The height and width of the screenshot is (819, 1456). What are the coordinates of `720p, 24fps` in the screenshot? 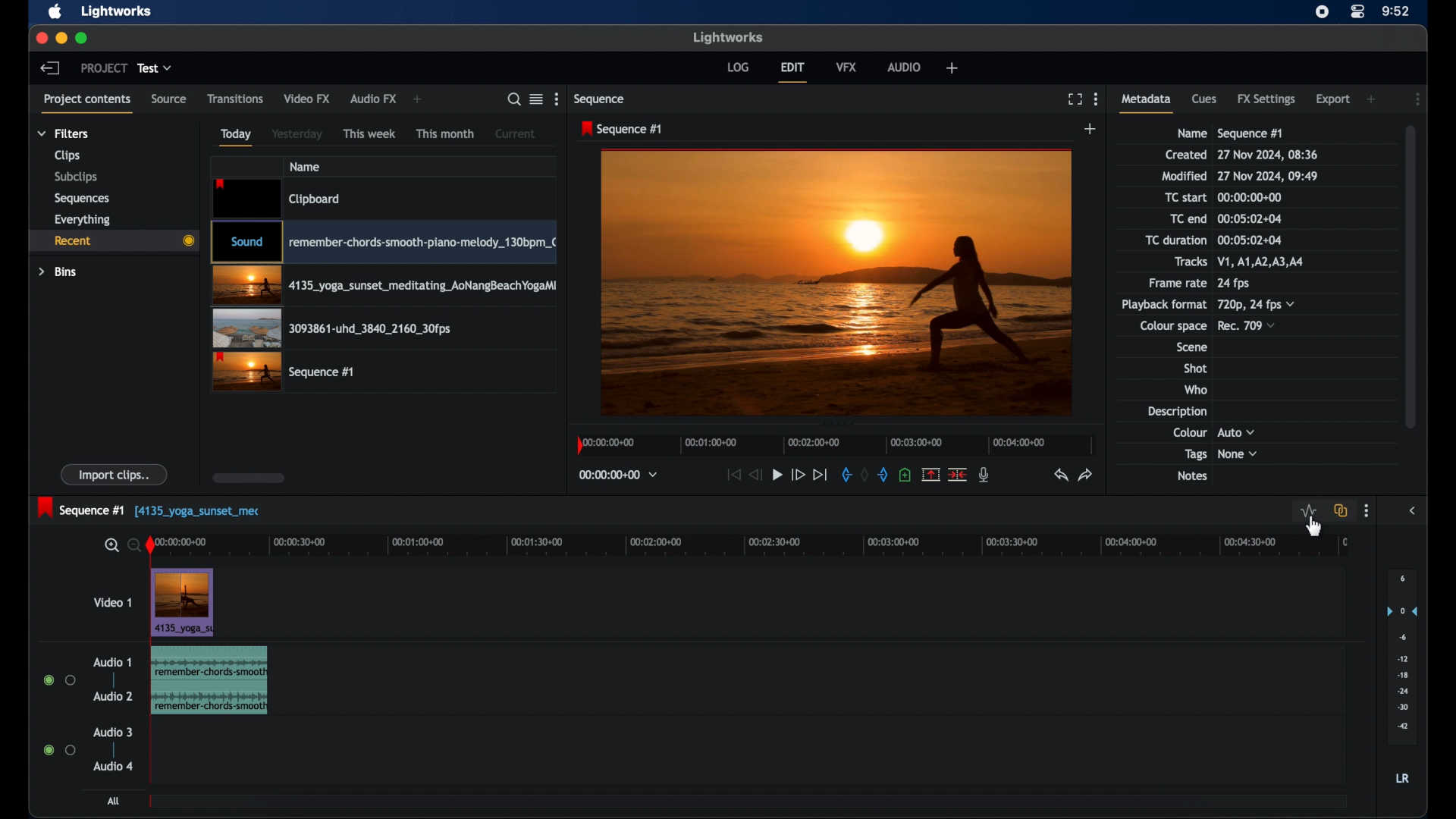 It's located at (1257, 304).